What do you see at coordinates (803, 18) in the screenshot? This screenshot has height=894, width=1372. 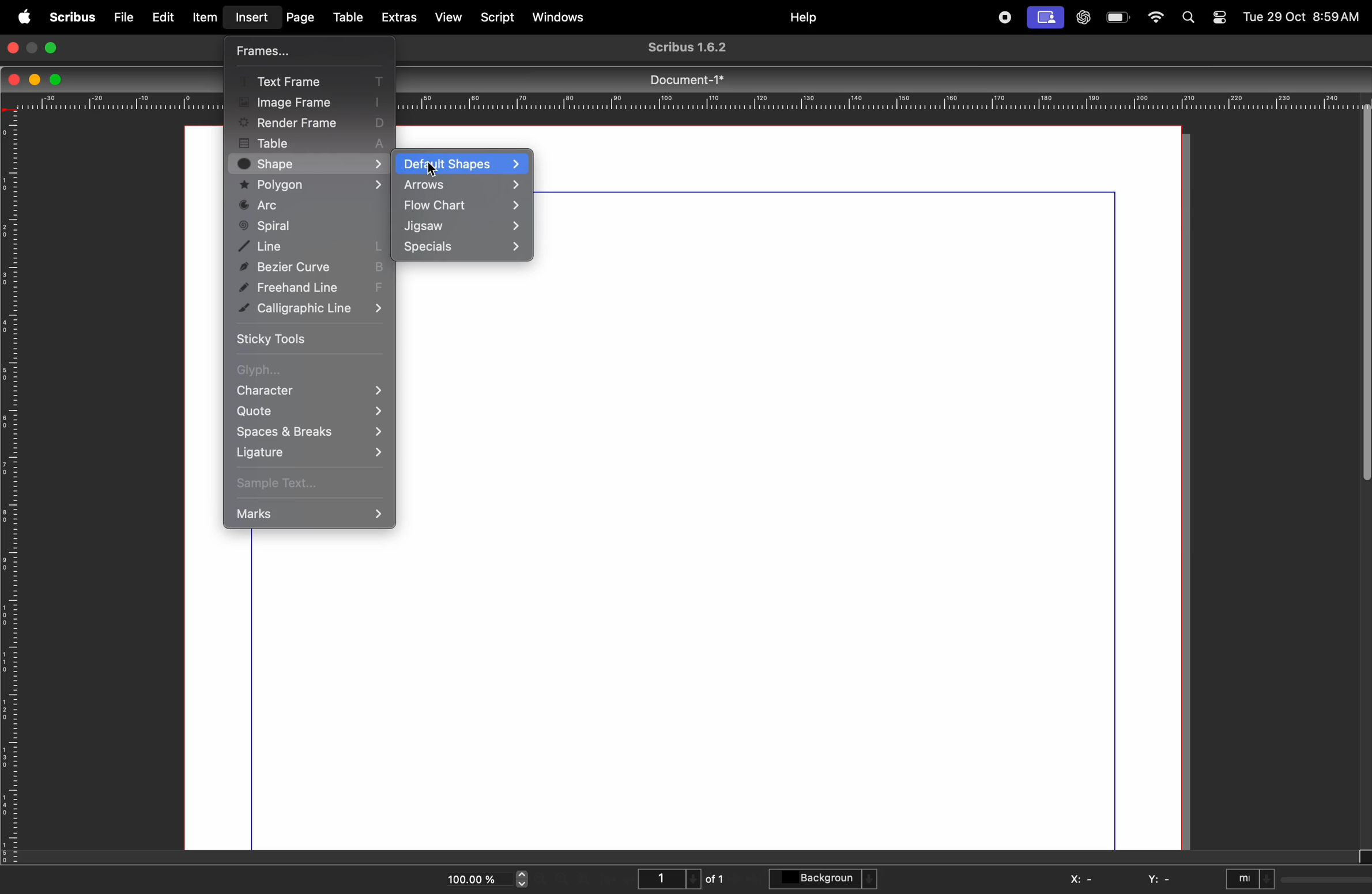 I see `help` at bounding box center [803, 18].